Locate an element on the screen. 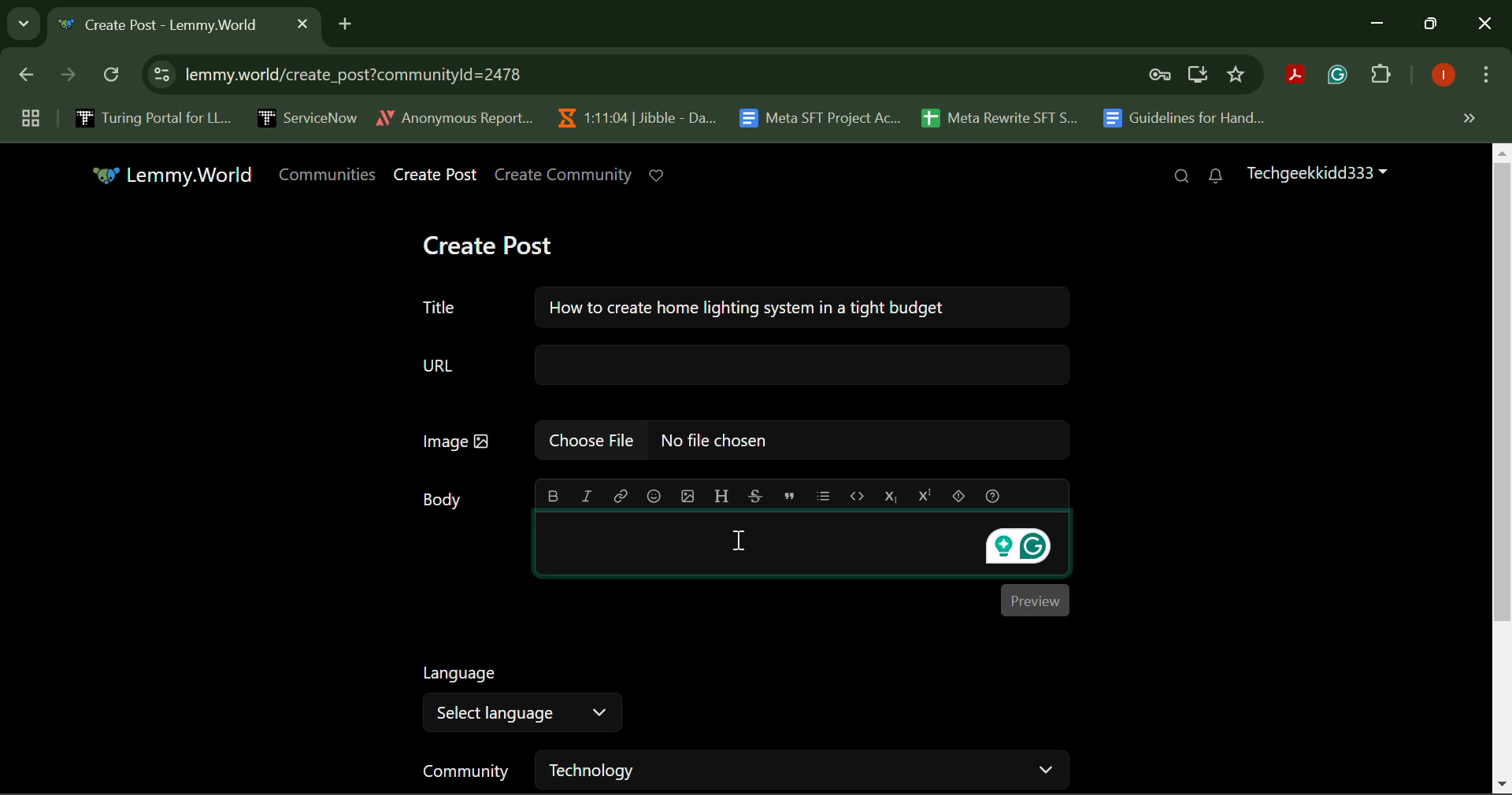  Group Tabs is located at coordinates (30, 117).